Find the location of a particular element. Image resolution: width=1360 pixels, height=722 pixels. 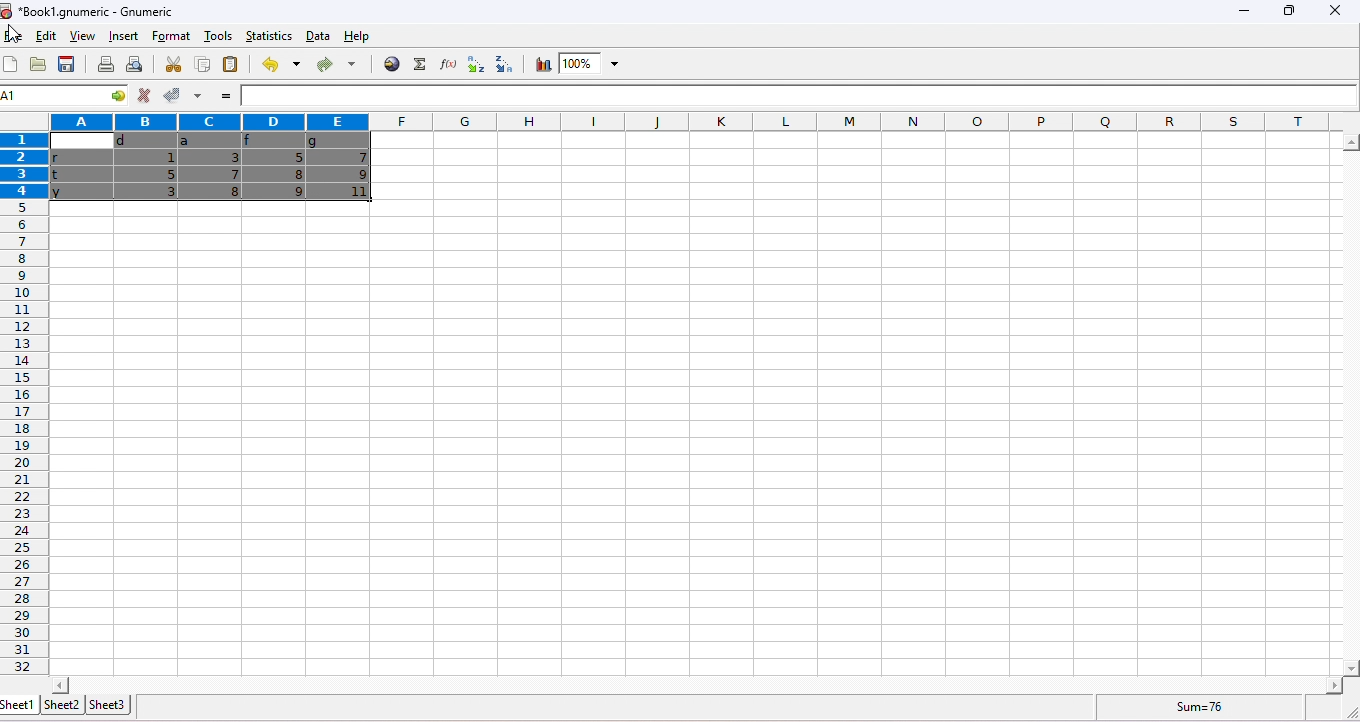

zoom is located at coordinates (592, 64).